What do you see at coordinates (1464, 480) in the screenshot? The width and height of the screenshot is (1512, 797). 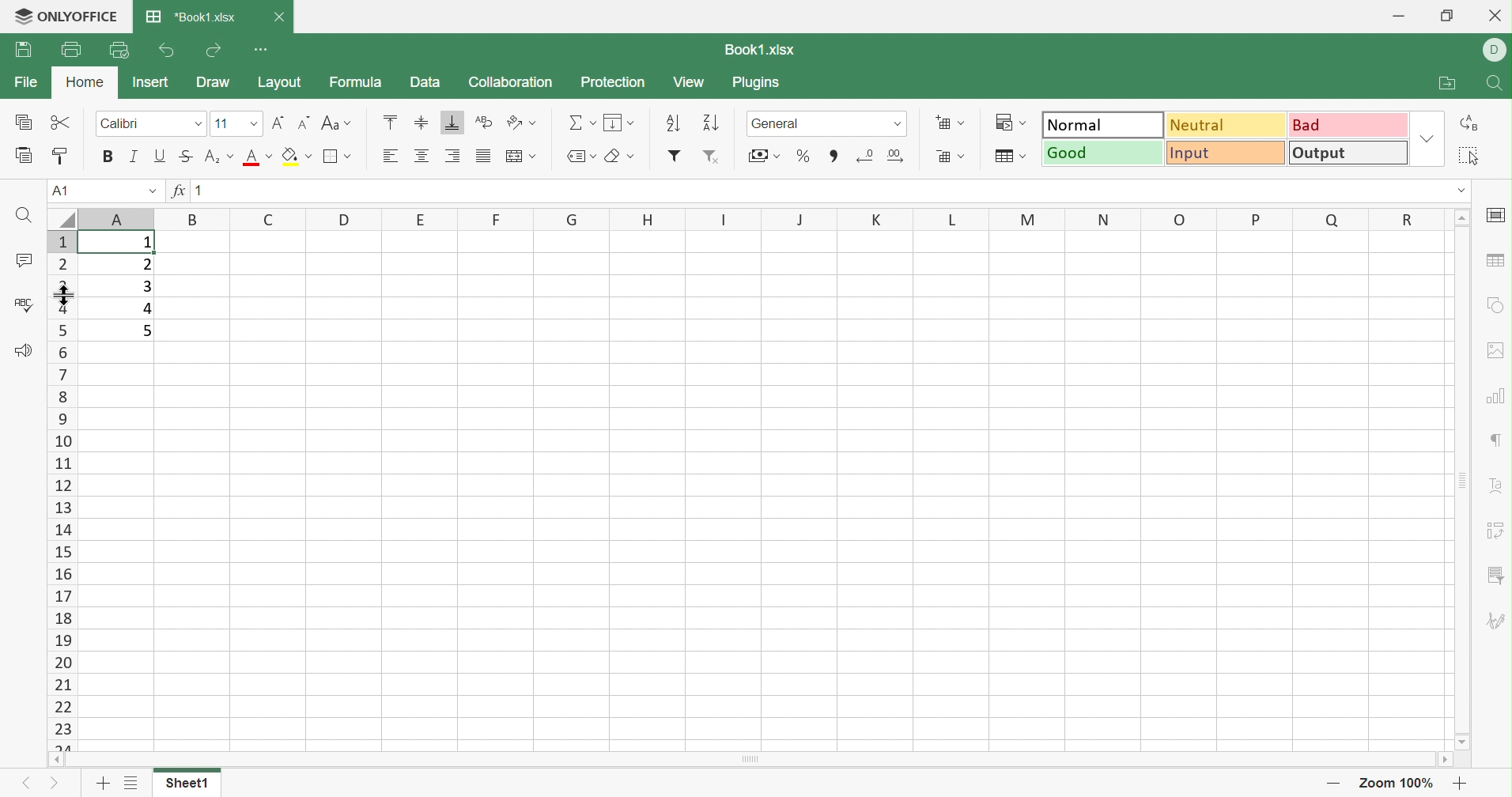 I see `Scroll Bar` at bounding box center [1464, 480].